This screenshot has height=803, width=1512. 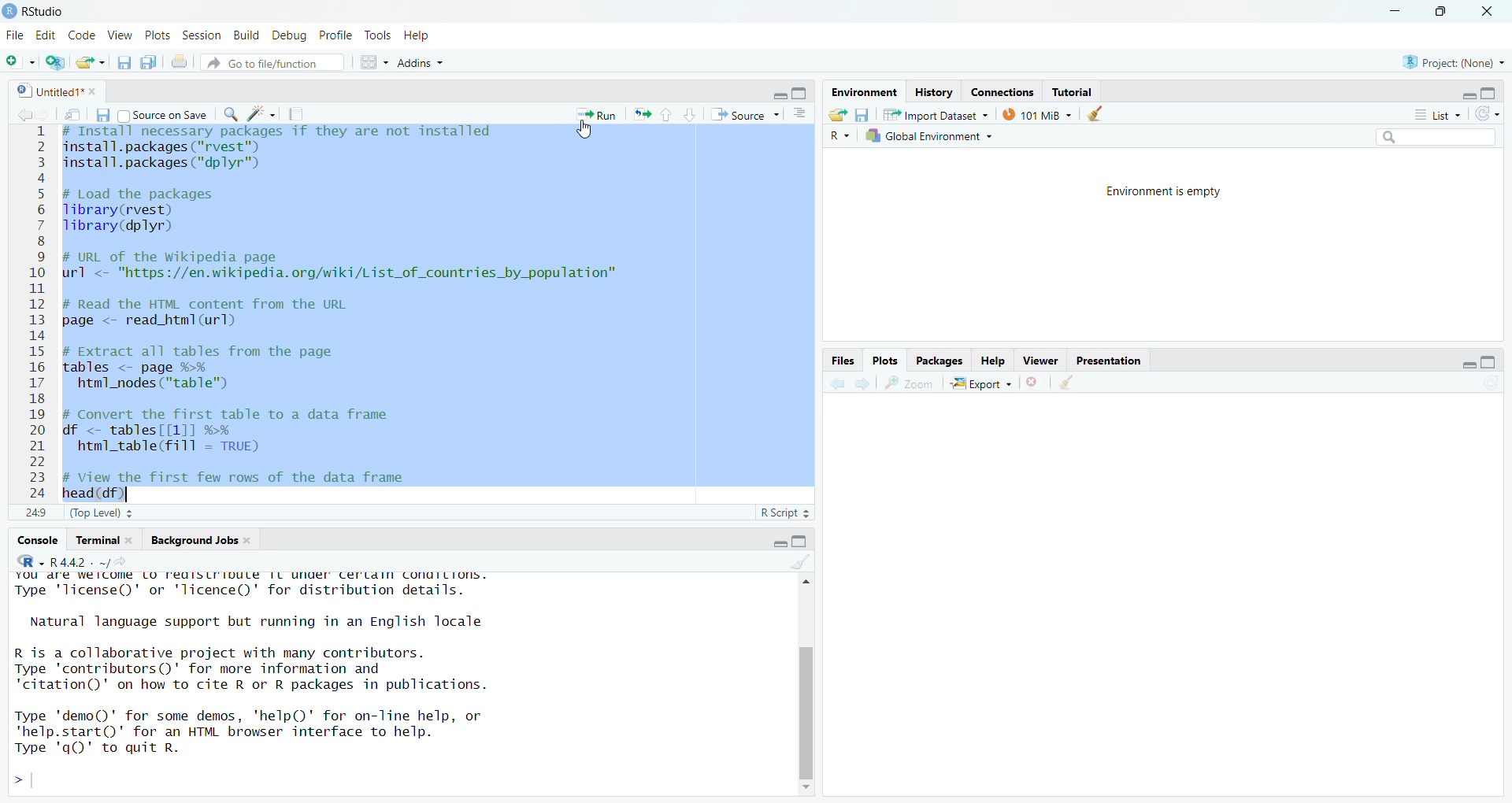 What do you see at coordinates (806, 789) in the screenshot?
I see `scroll down` at bounding box center [806, 789].